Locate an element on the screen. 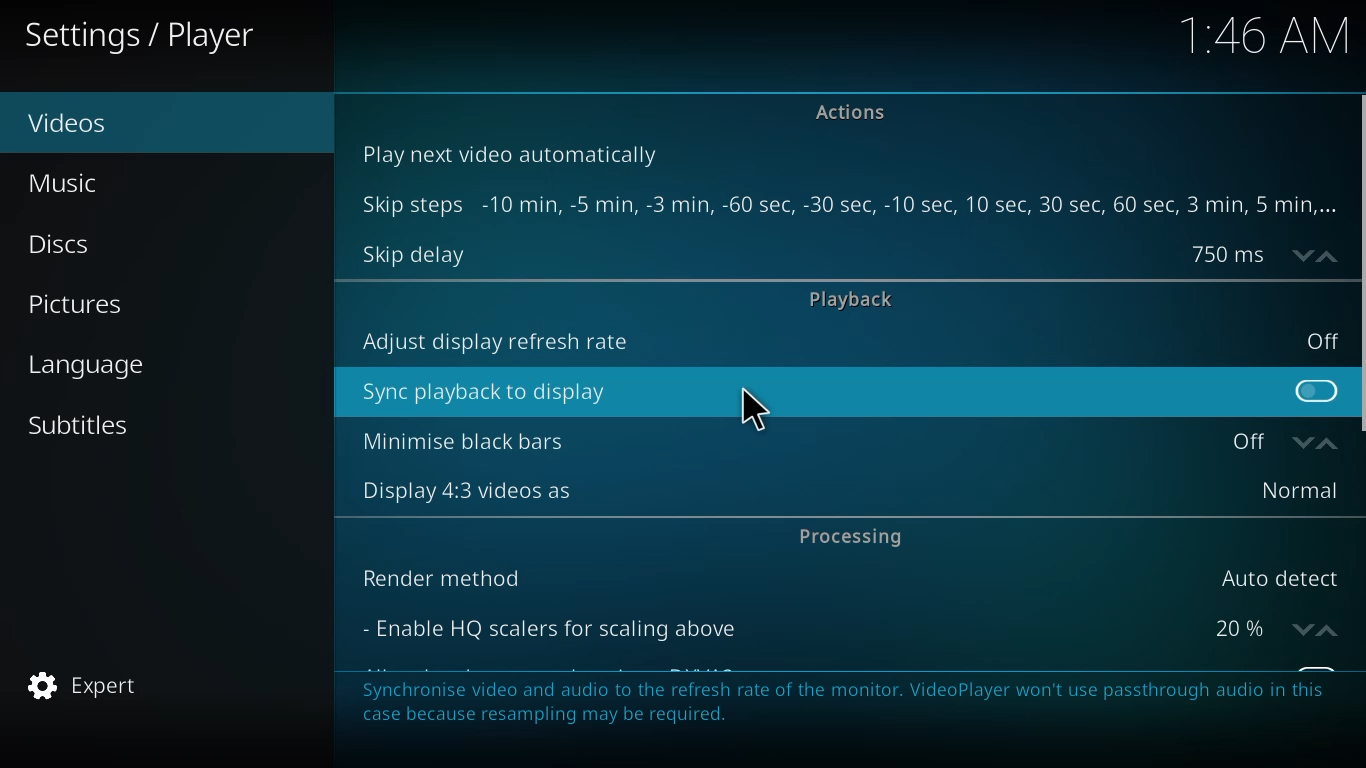  processing is located at coordinates (850, 538).